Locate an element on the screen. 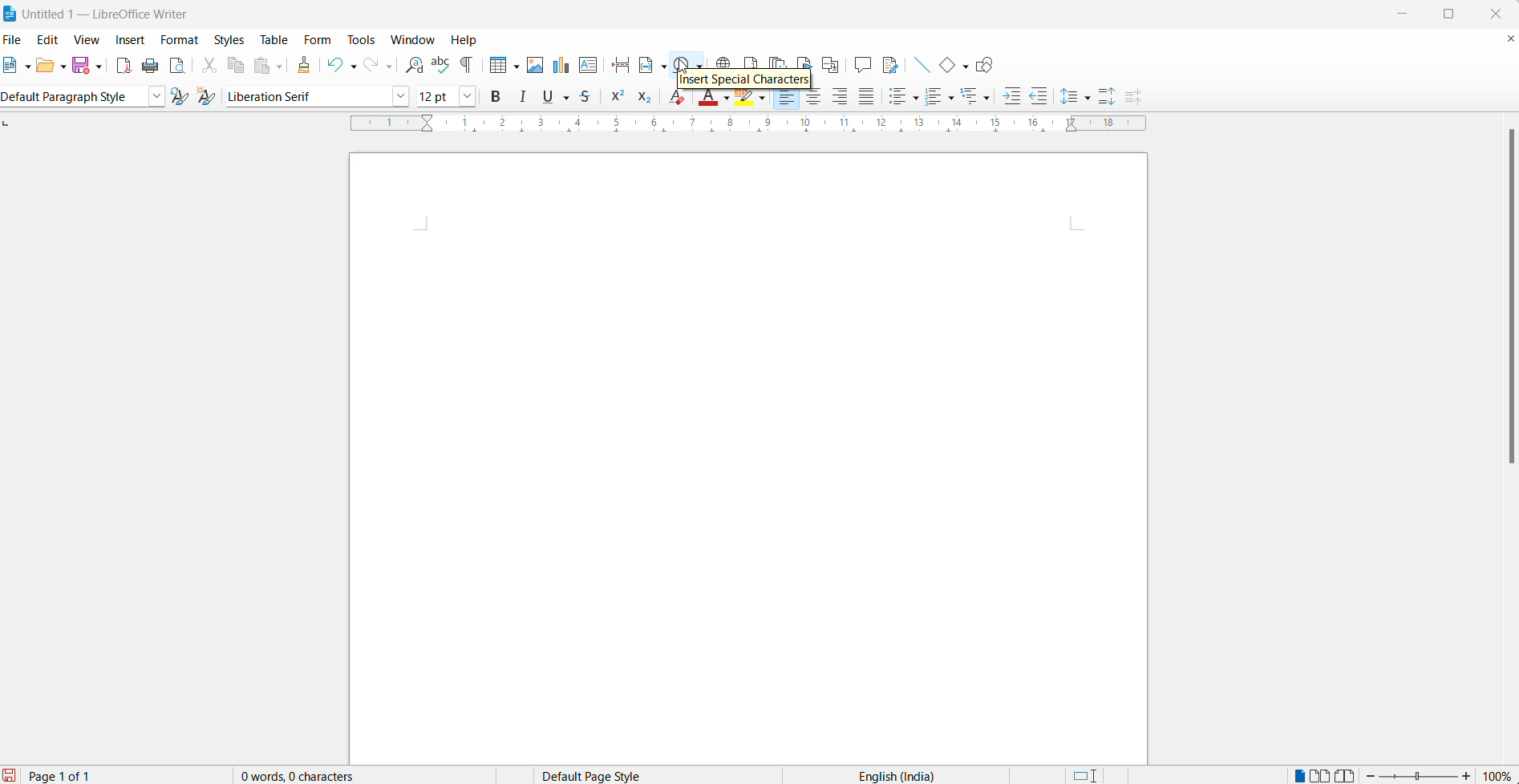 This screenshot has width=1519, height=784. inert cross-reference` is located at coordinates (834, 64).